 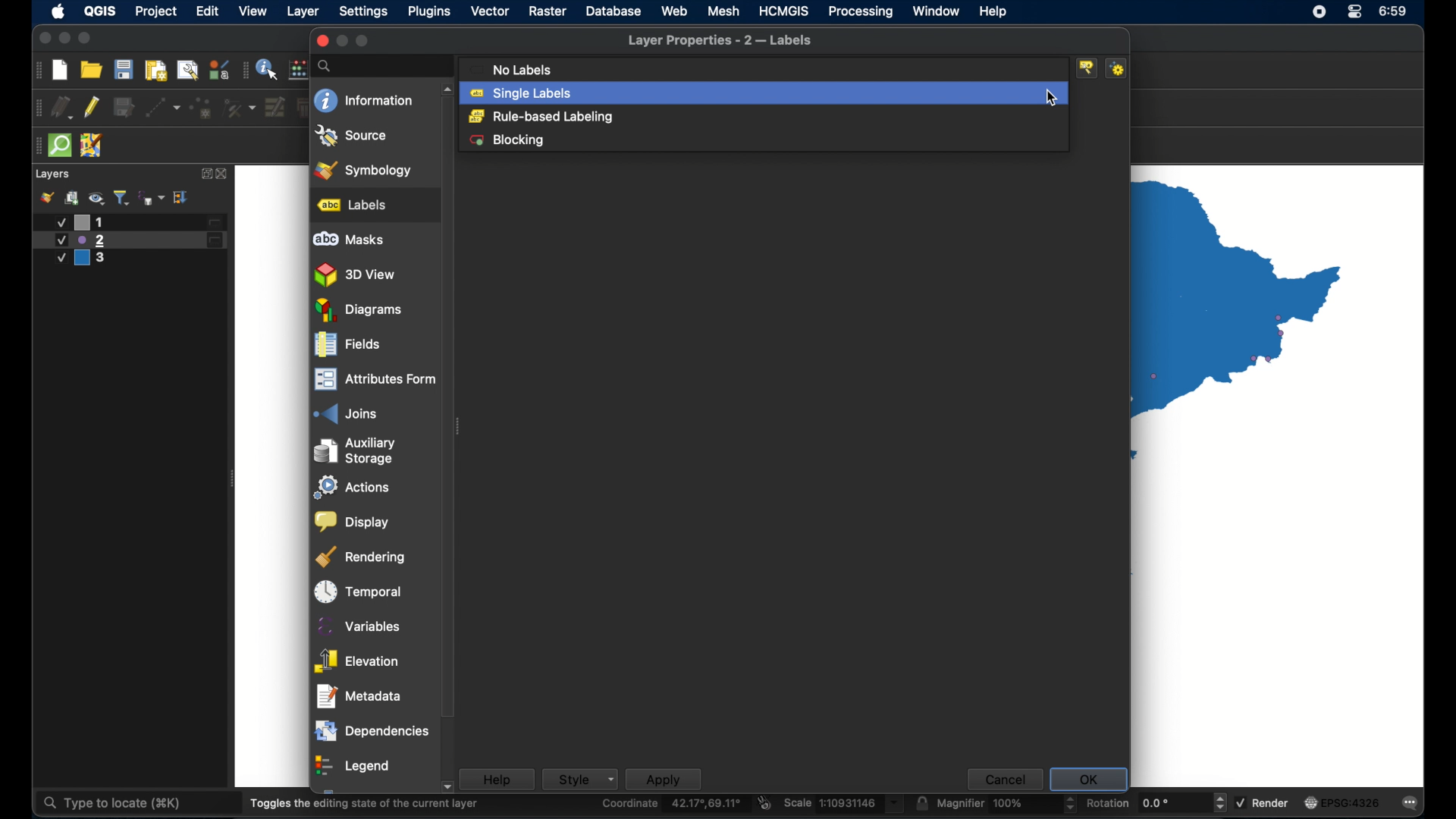 I want to click on minimize, so click(x=64, y=39).